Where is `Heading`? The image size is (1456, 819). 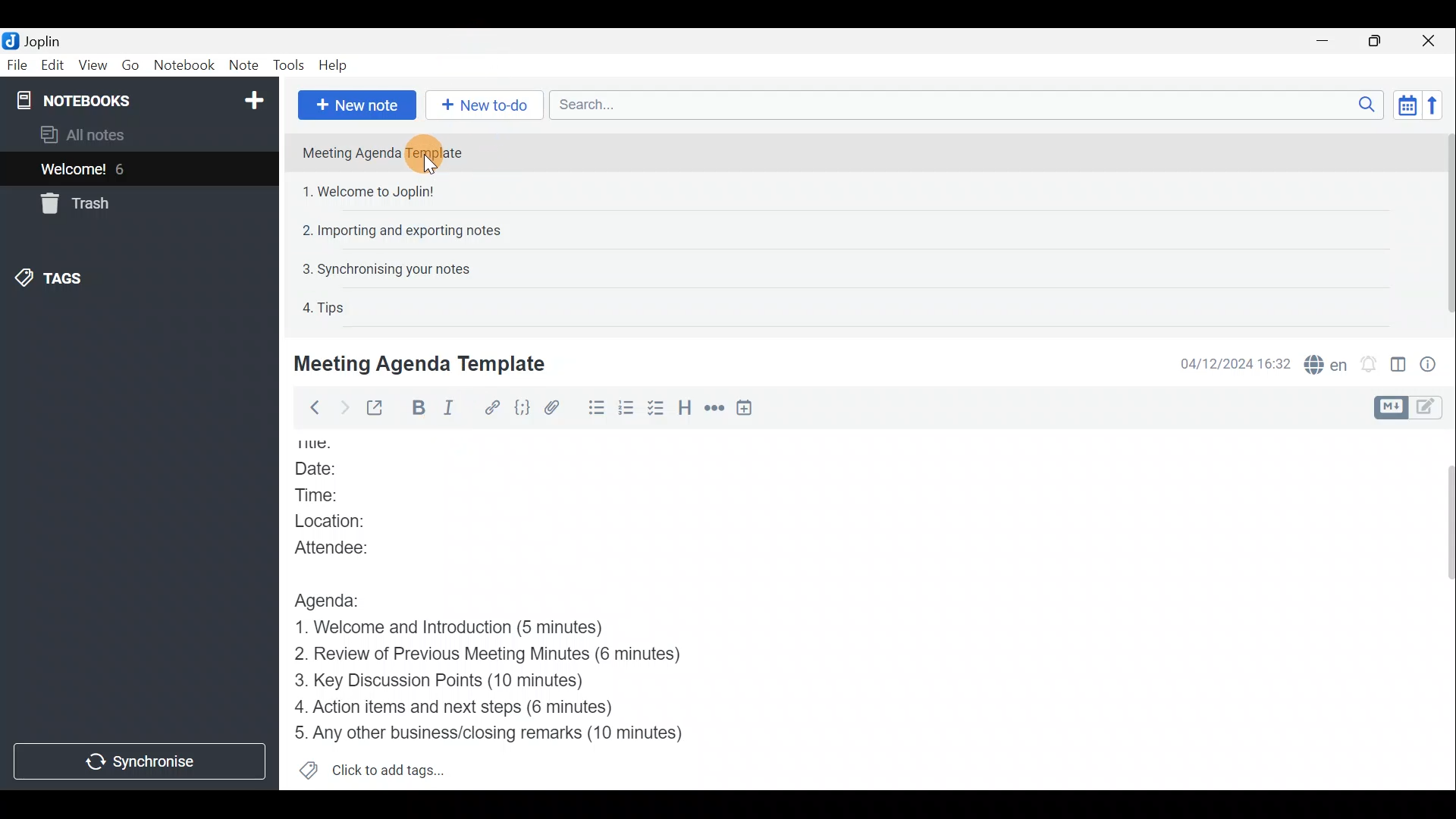
Heading is located at coordinates (684, 411).